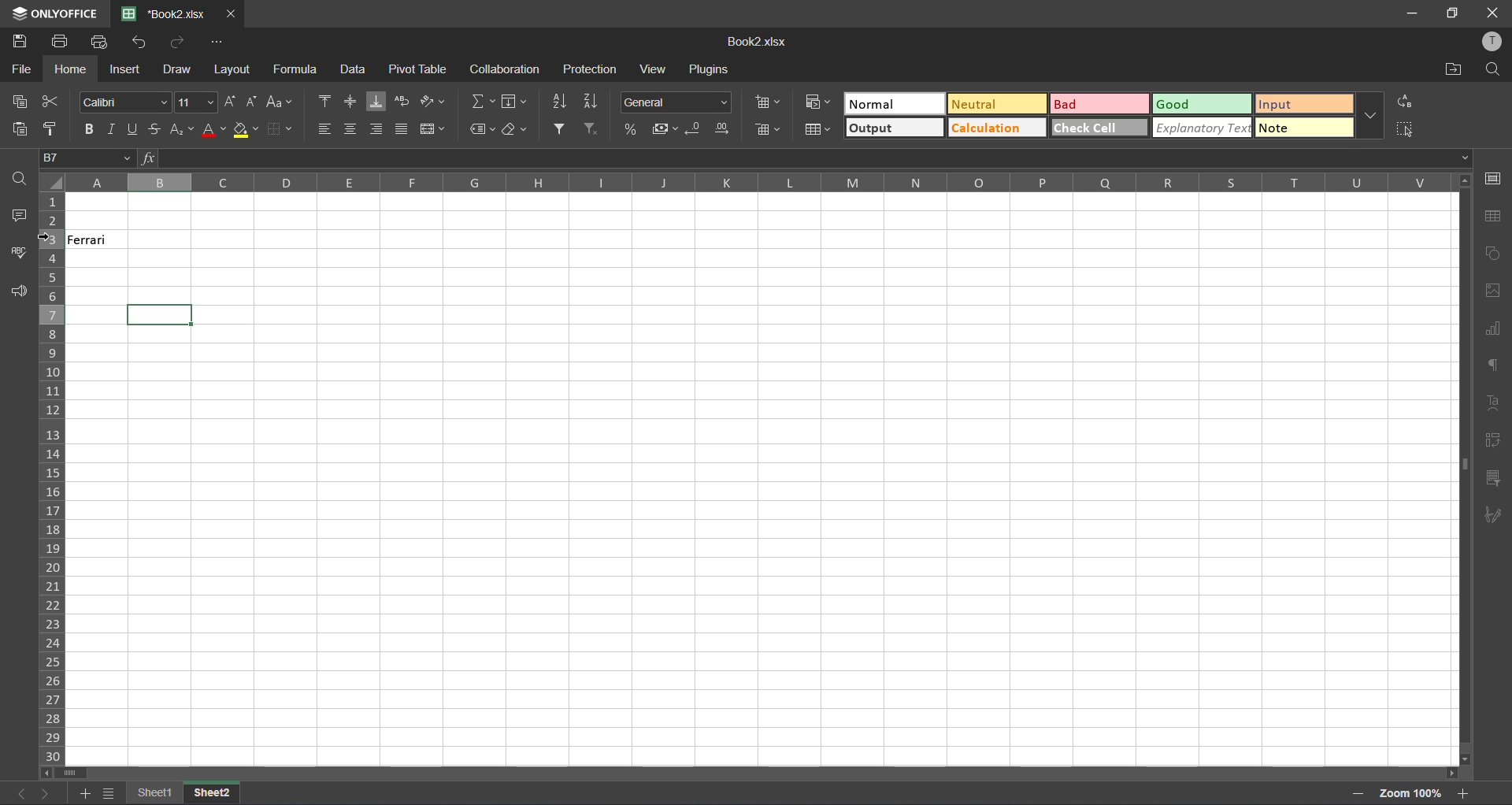  What do you see at coordinates (1412, 793) in the screenshot?
I see `zoom factor` at bounding box center [1412, 793].